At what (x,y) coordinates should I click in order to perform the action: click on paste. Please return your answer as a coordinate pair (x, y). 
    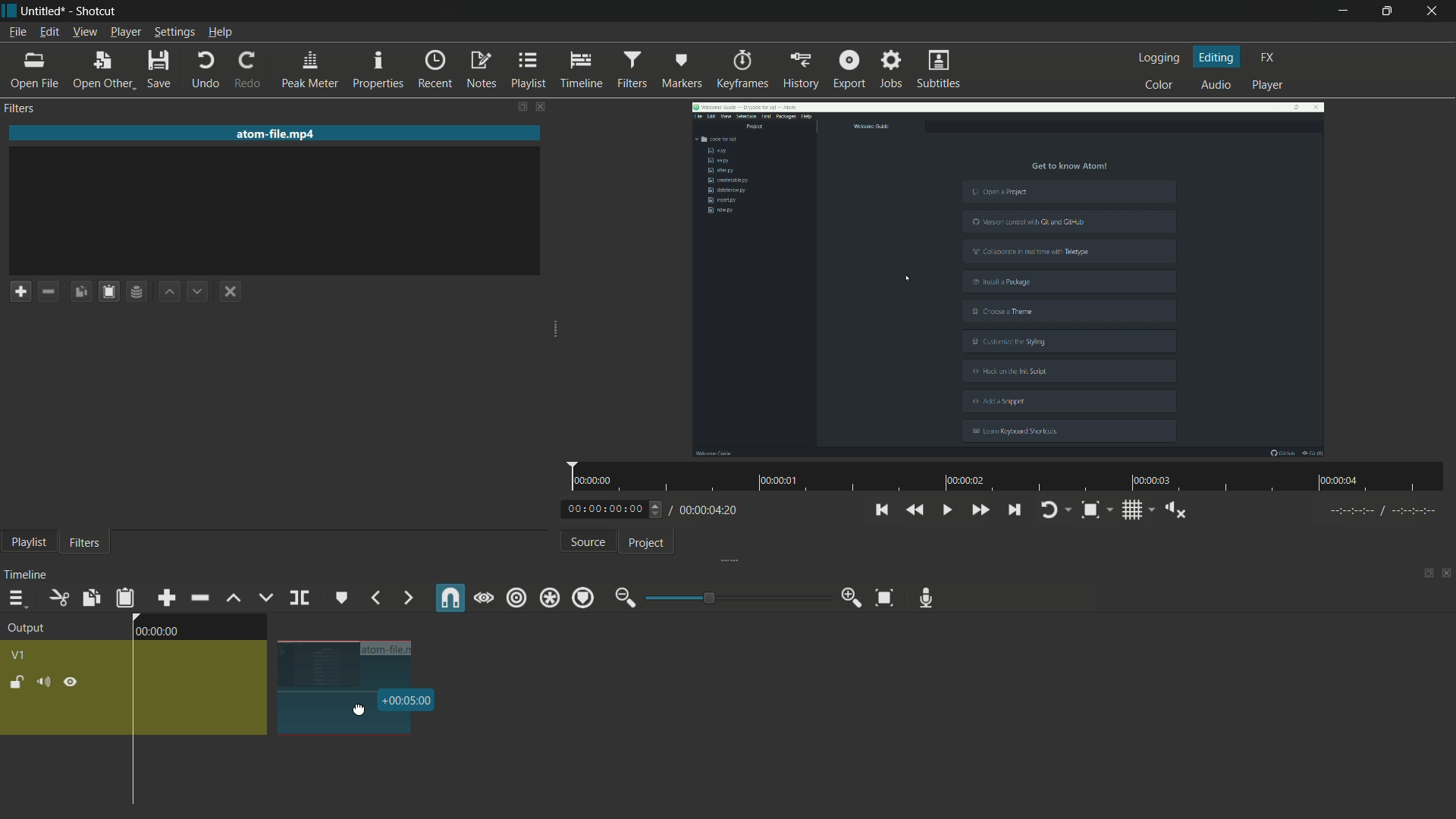
    Looking at the image, I should click on (108, 291).